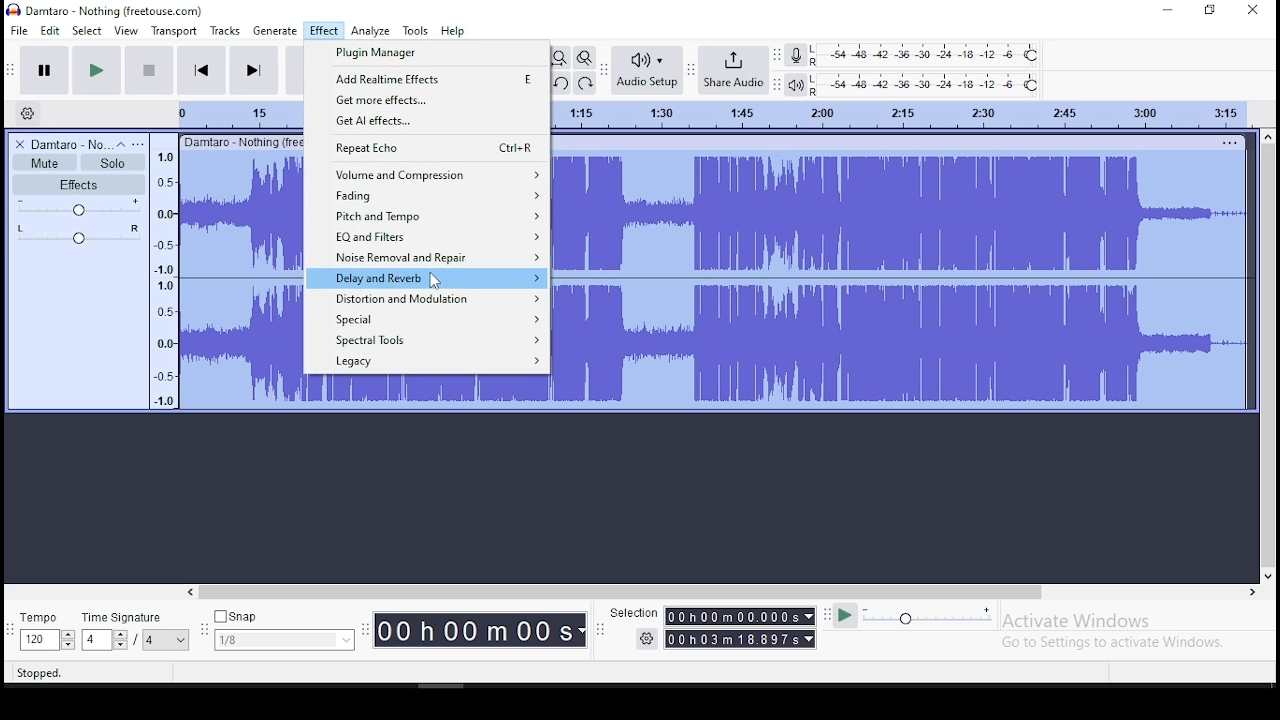 The height and width of the screenshot is (720, 1280). I want to click on repeat, so click(425, 148).